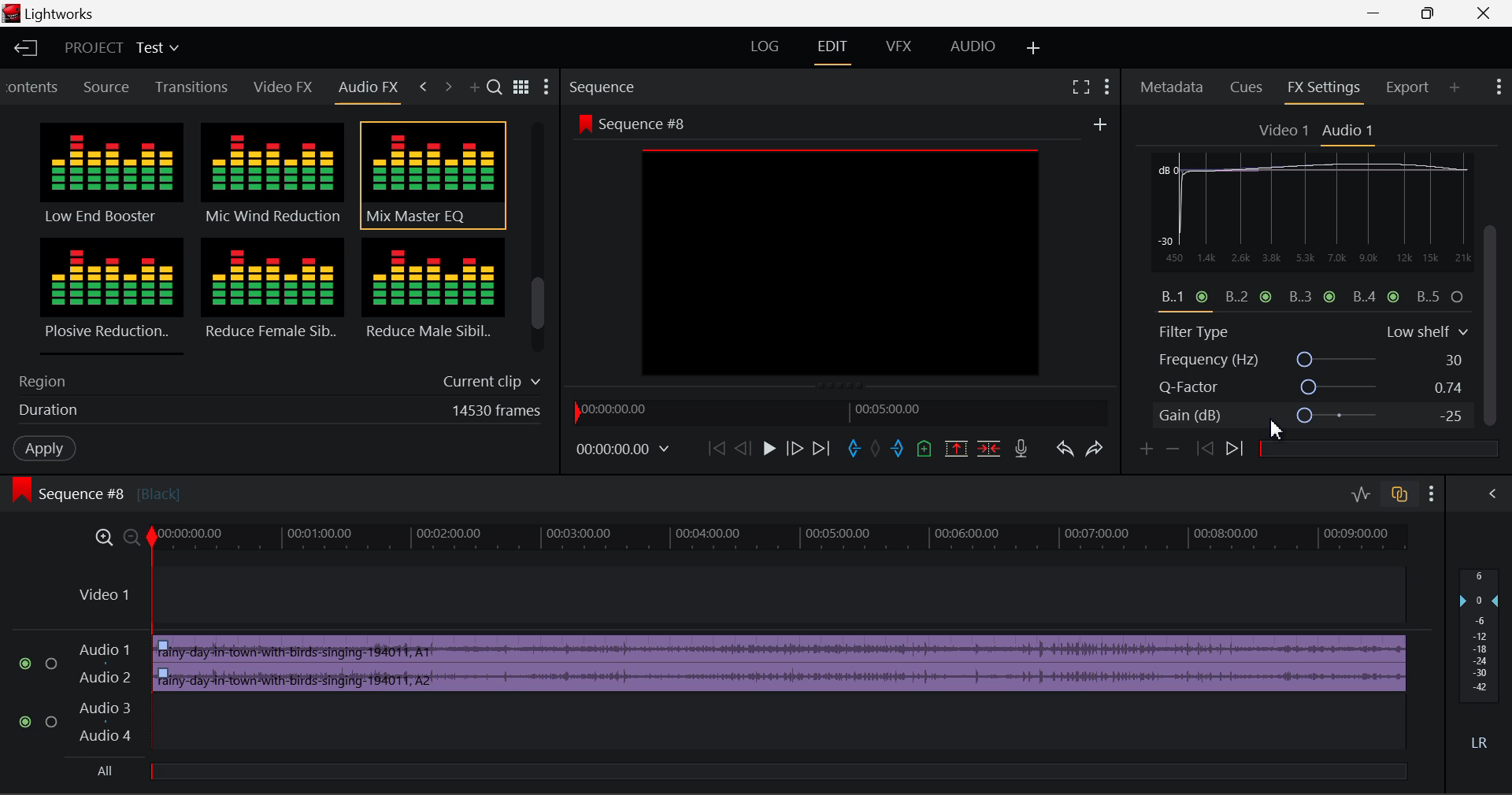  I want to click on Add, so click(1100, 125).